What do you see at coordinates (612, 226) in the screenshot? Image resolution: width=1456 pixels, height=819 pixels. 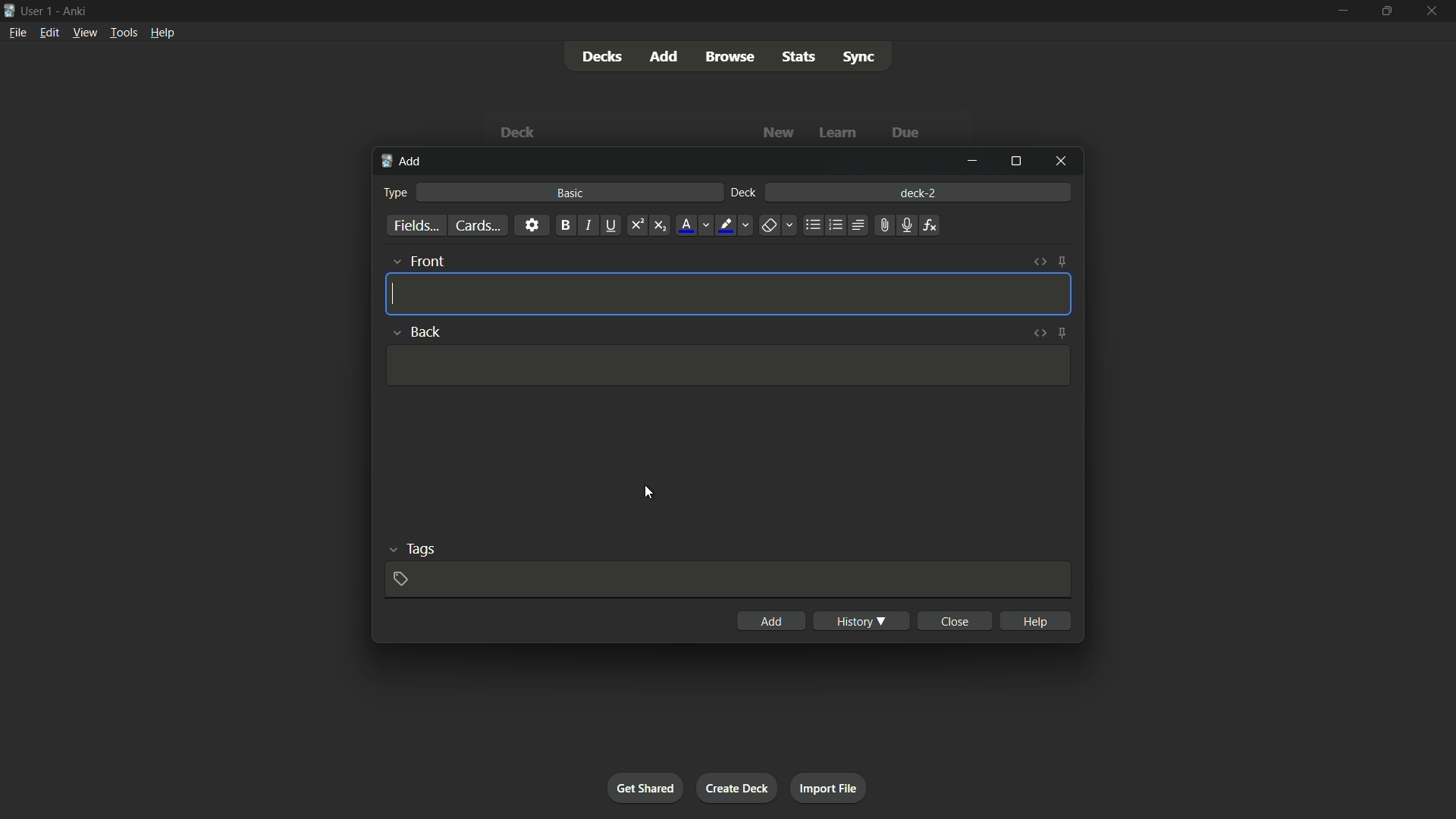 I see `underline` at bounding box center [612, 226].